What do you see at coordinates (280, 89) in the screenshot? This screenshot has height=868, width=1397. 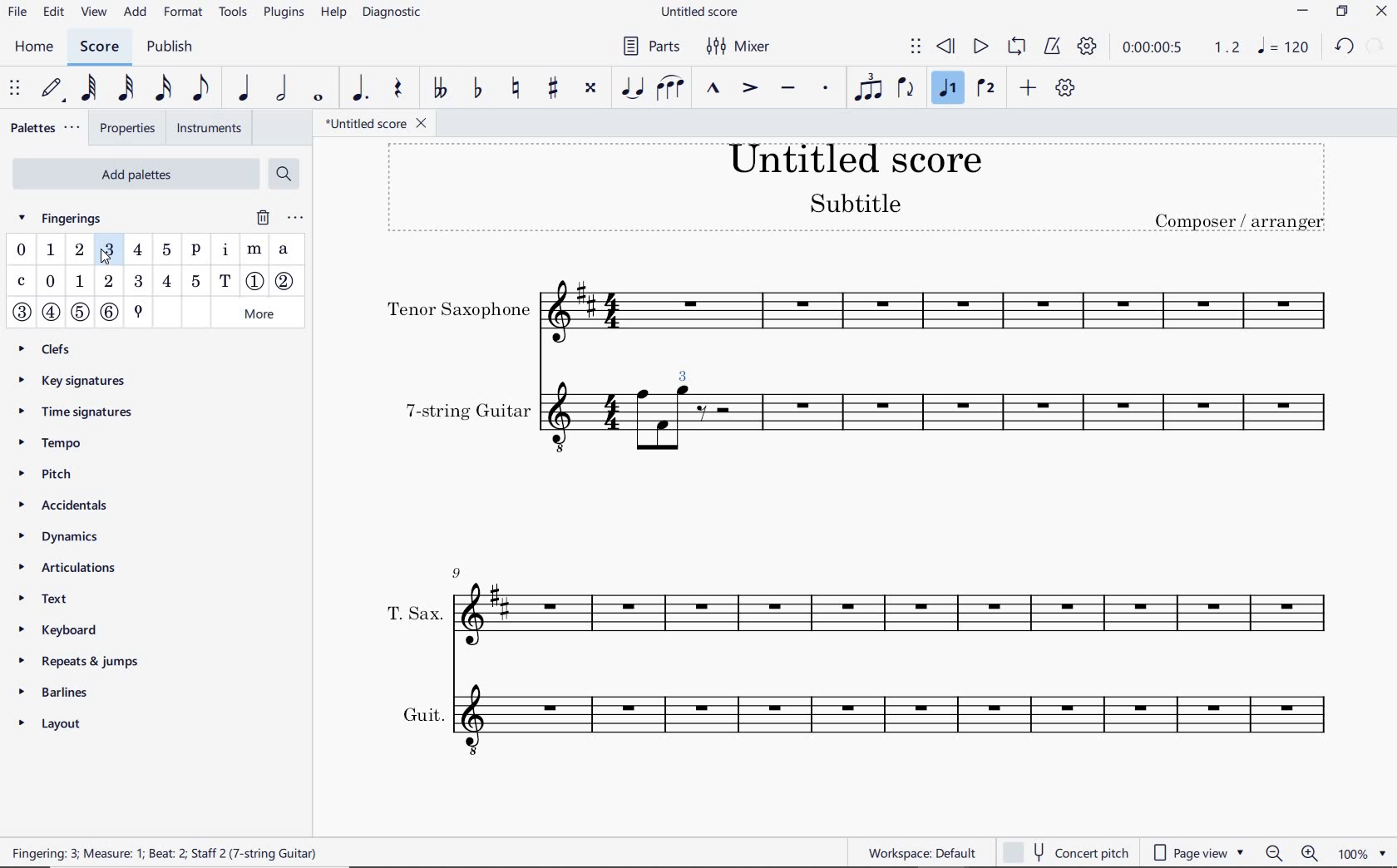 I see `HALF NOTE` at bounding box center [280, 89].